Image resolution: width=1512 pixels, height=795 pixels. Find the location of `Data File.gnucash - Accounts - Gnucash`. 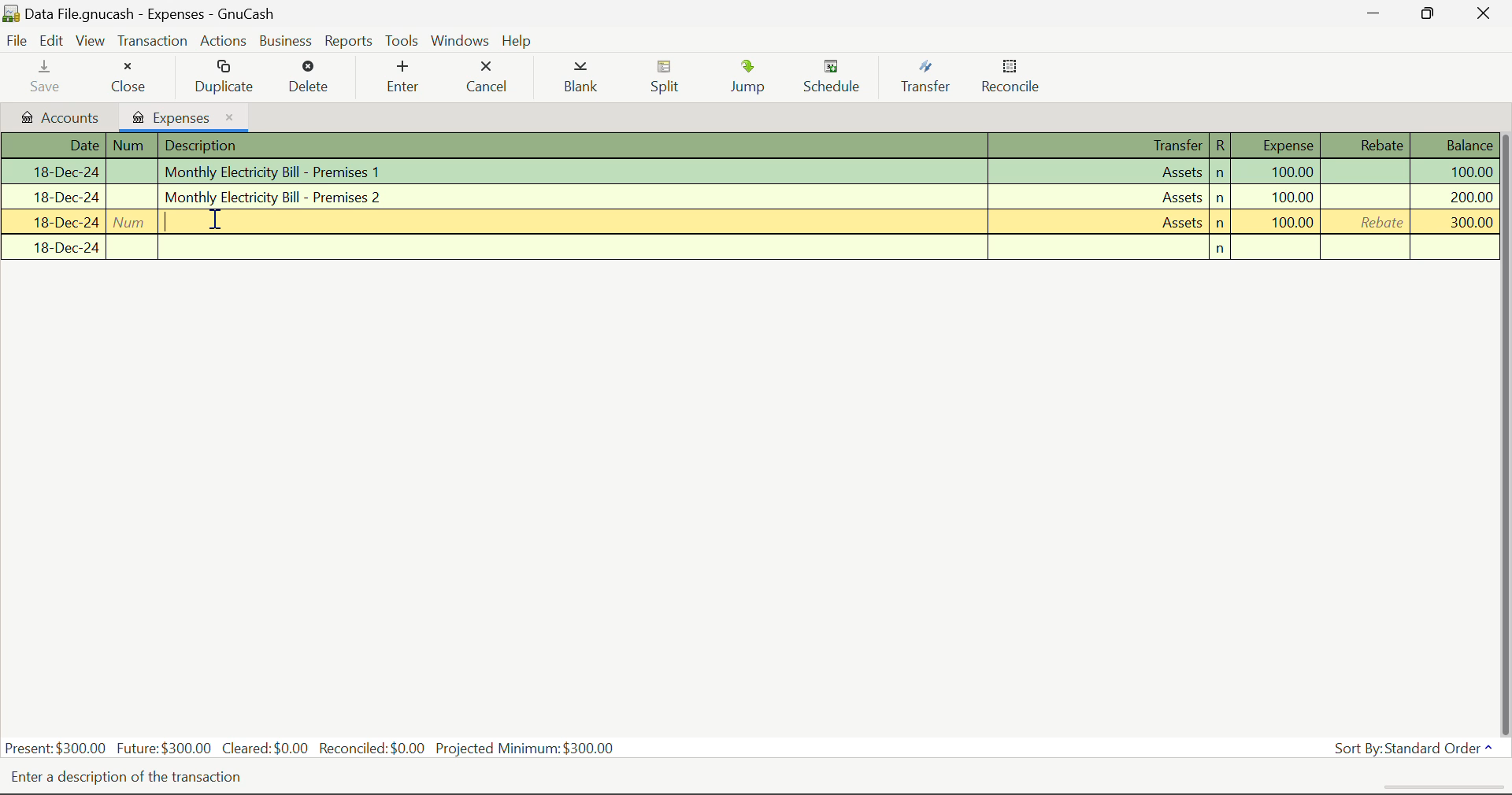

Data File.gnucash - Accounts - Gnucash is located at coordinates (156, 15).